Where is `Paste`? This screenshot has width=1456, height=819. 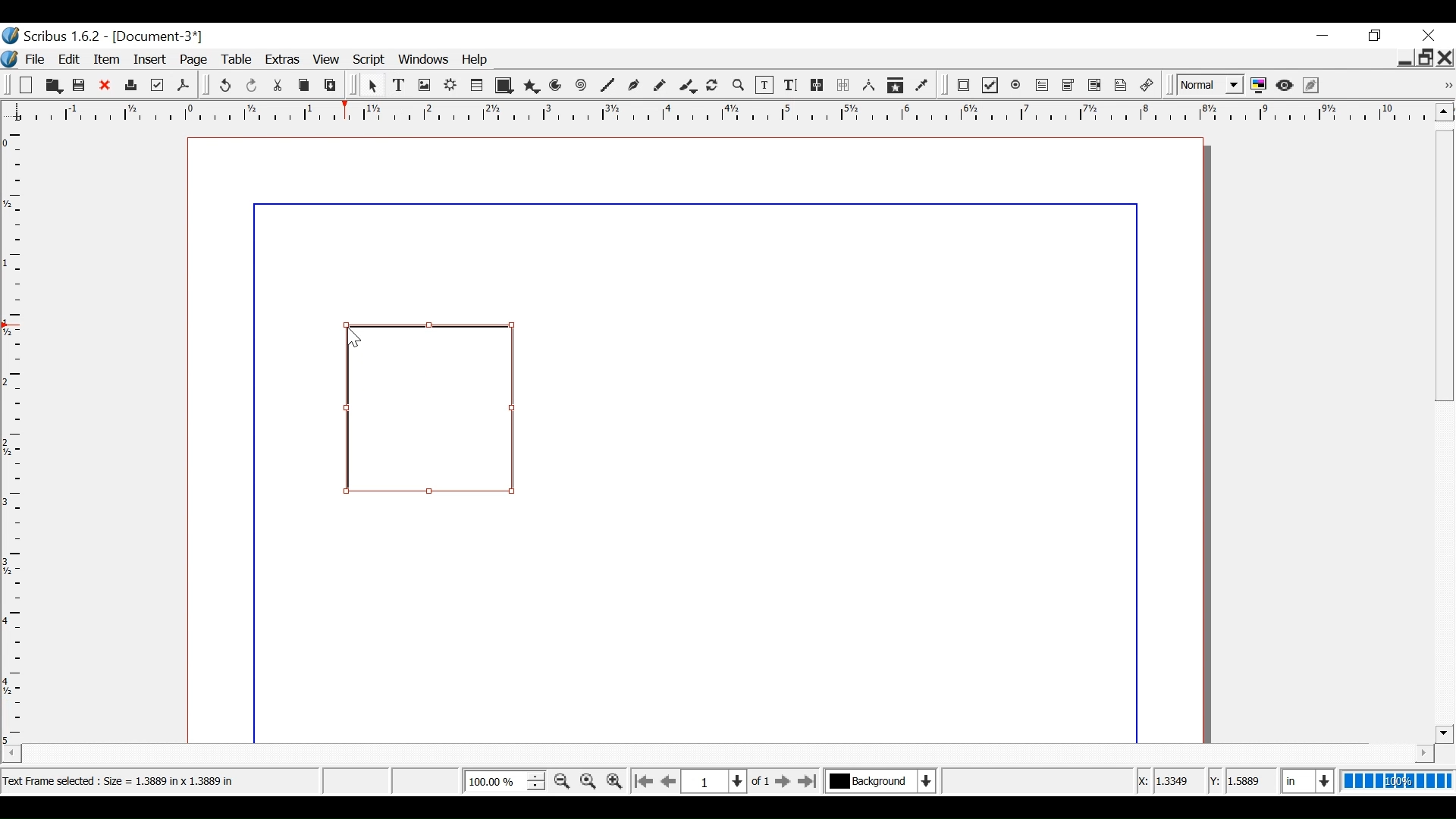
Paste is located at coordinates (333, 84).